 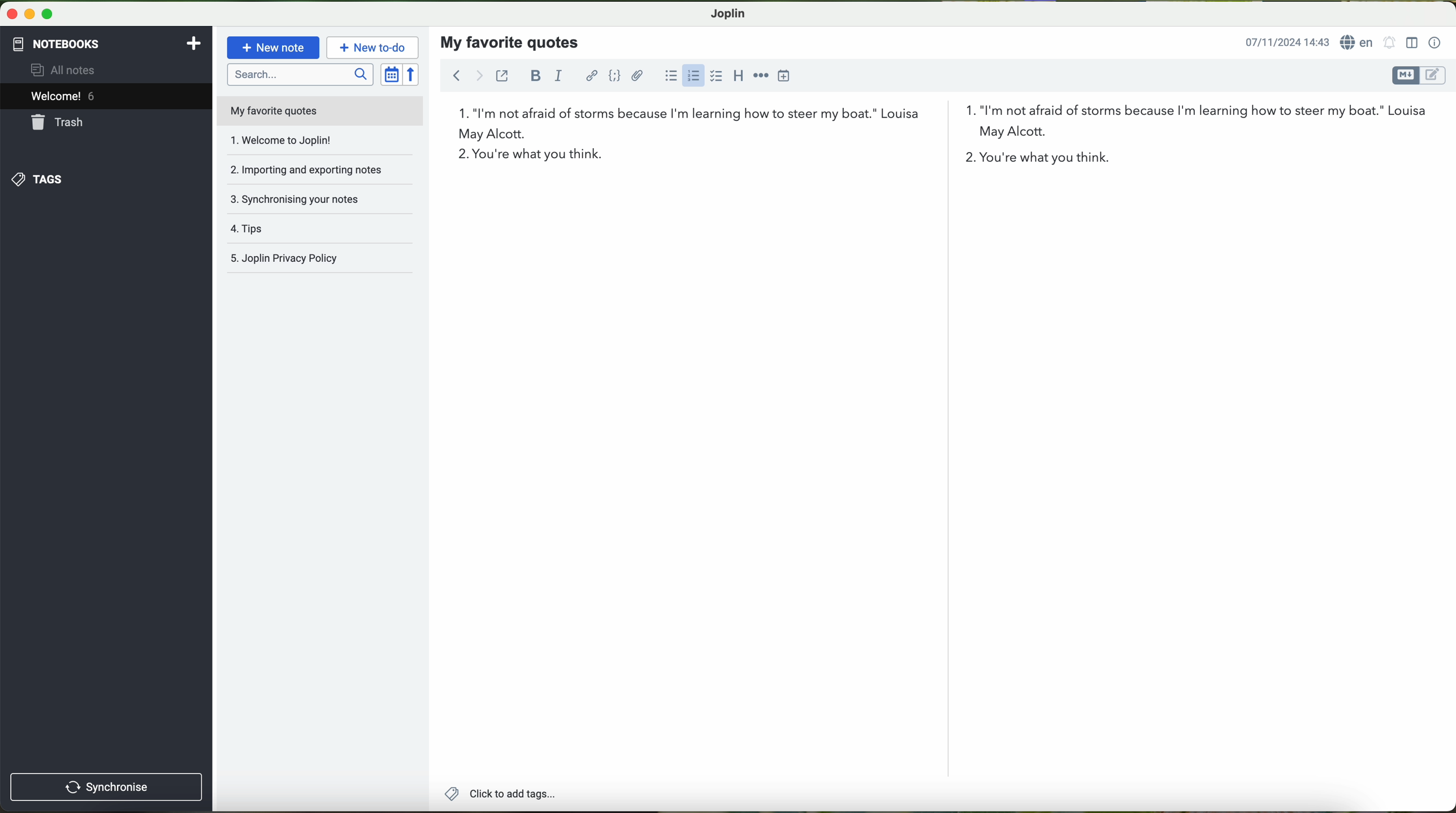 What do you see at coordinates (787, 75) in the screenshot?
I see `insert time` at bounding box center [787, 75].